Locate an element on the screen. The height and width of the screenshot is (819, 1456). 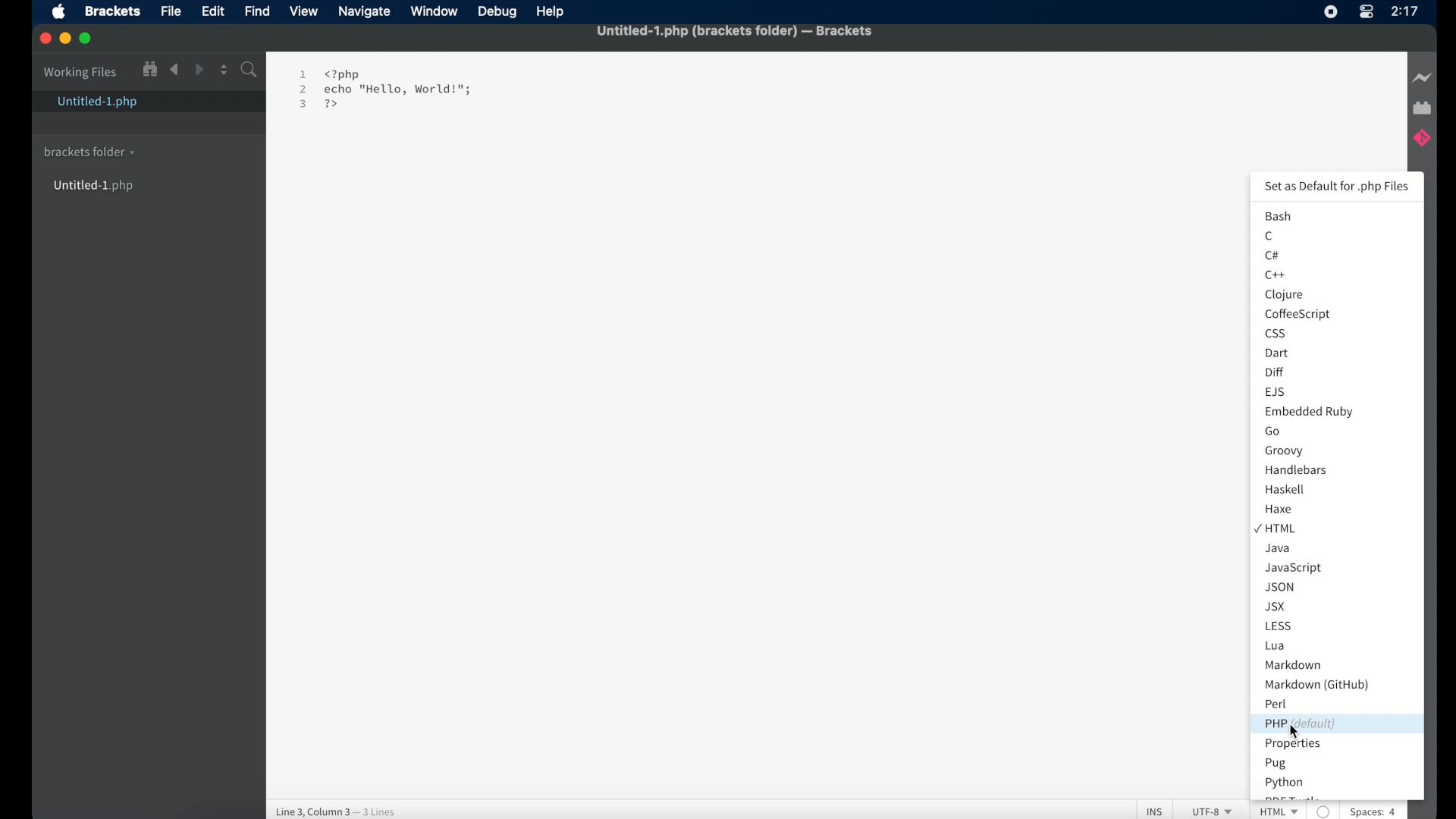
brackets is located at coordinates (113, 13).